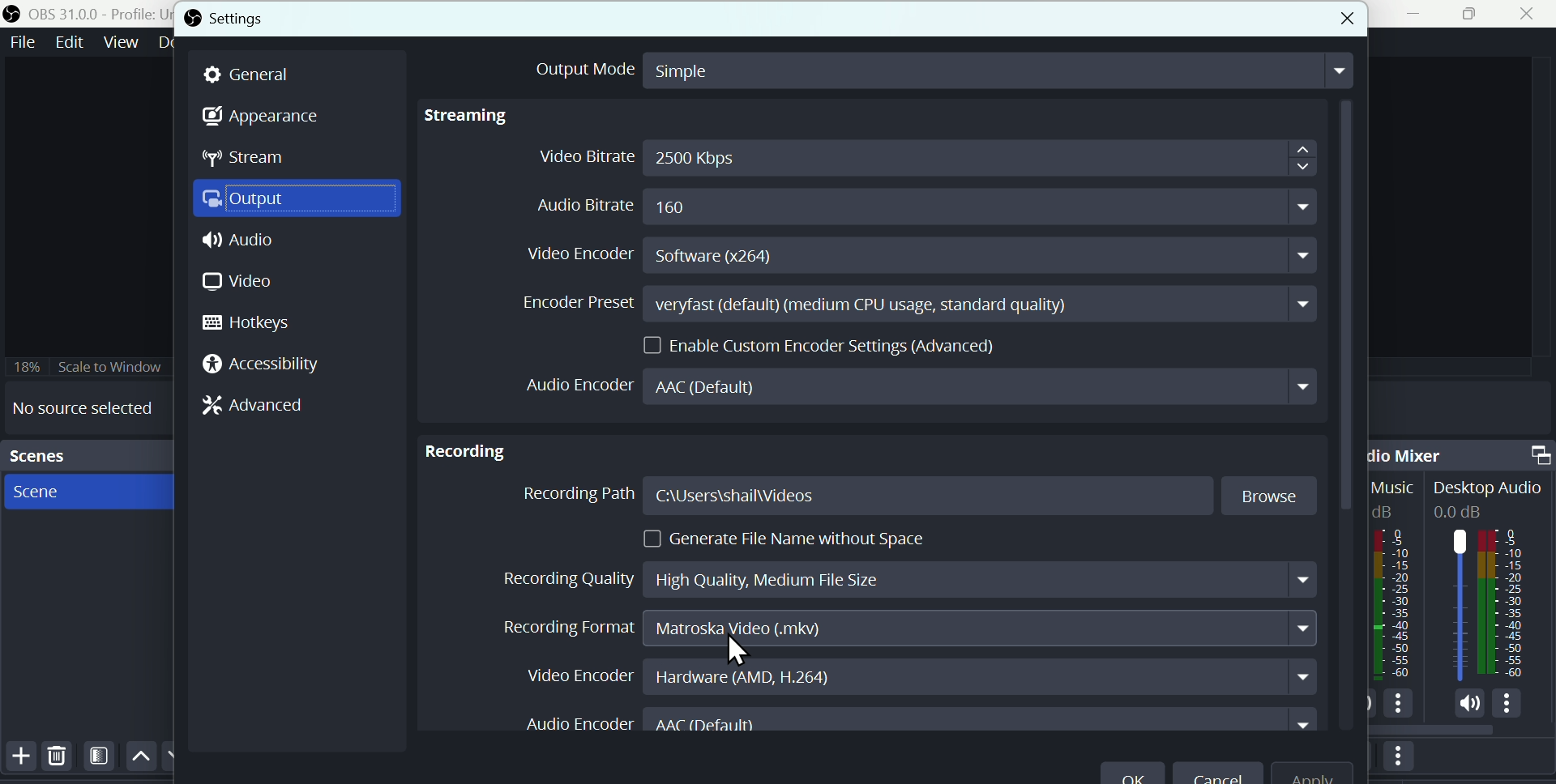  Describe the element at coordinates (460, 453) in the screenshot. I see `Recording` at that location.